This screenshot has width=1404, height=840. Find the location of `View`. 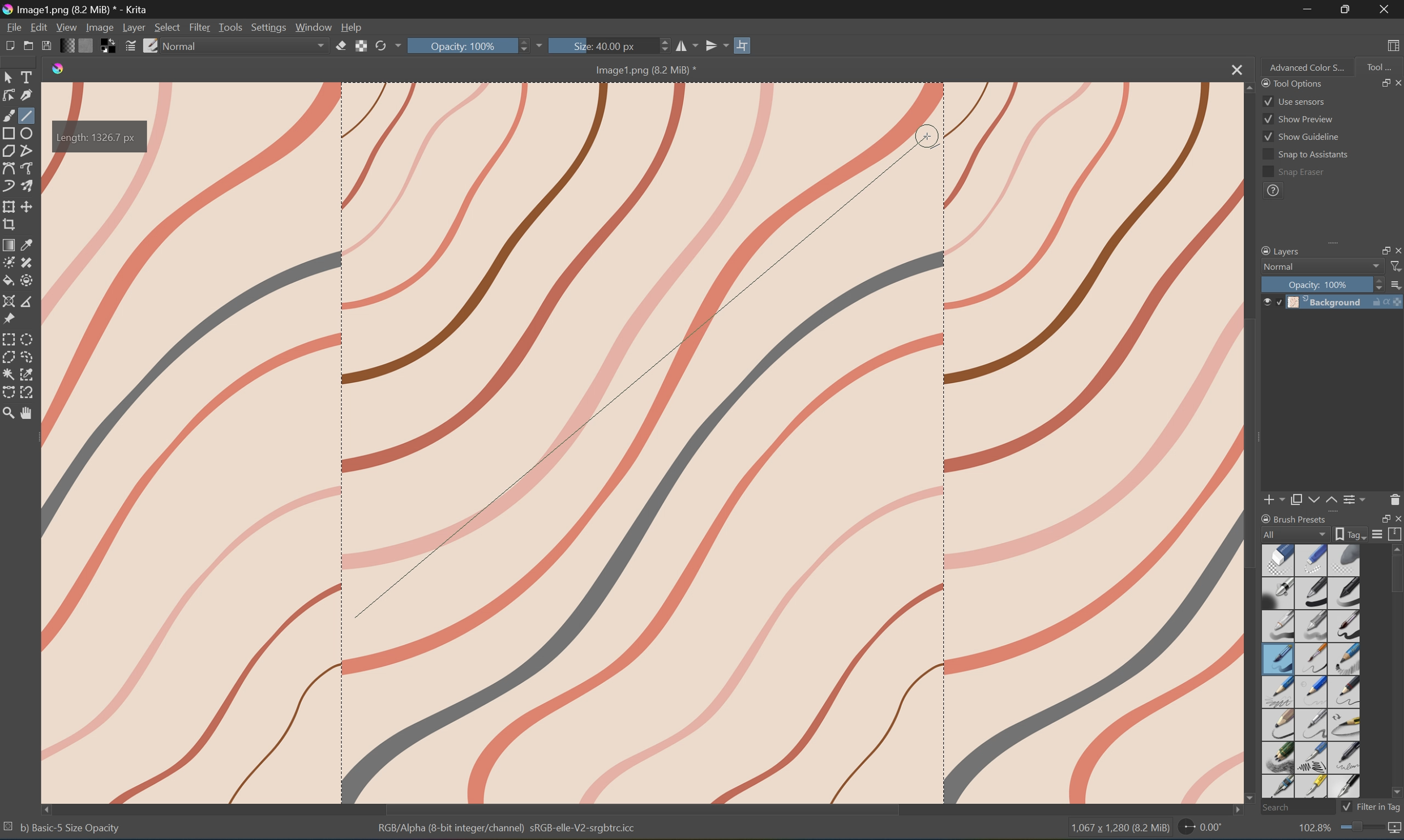

View is located at coordinates (66, 27).